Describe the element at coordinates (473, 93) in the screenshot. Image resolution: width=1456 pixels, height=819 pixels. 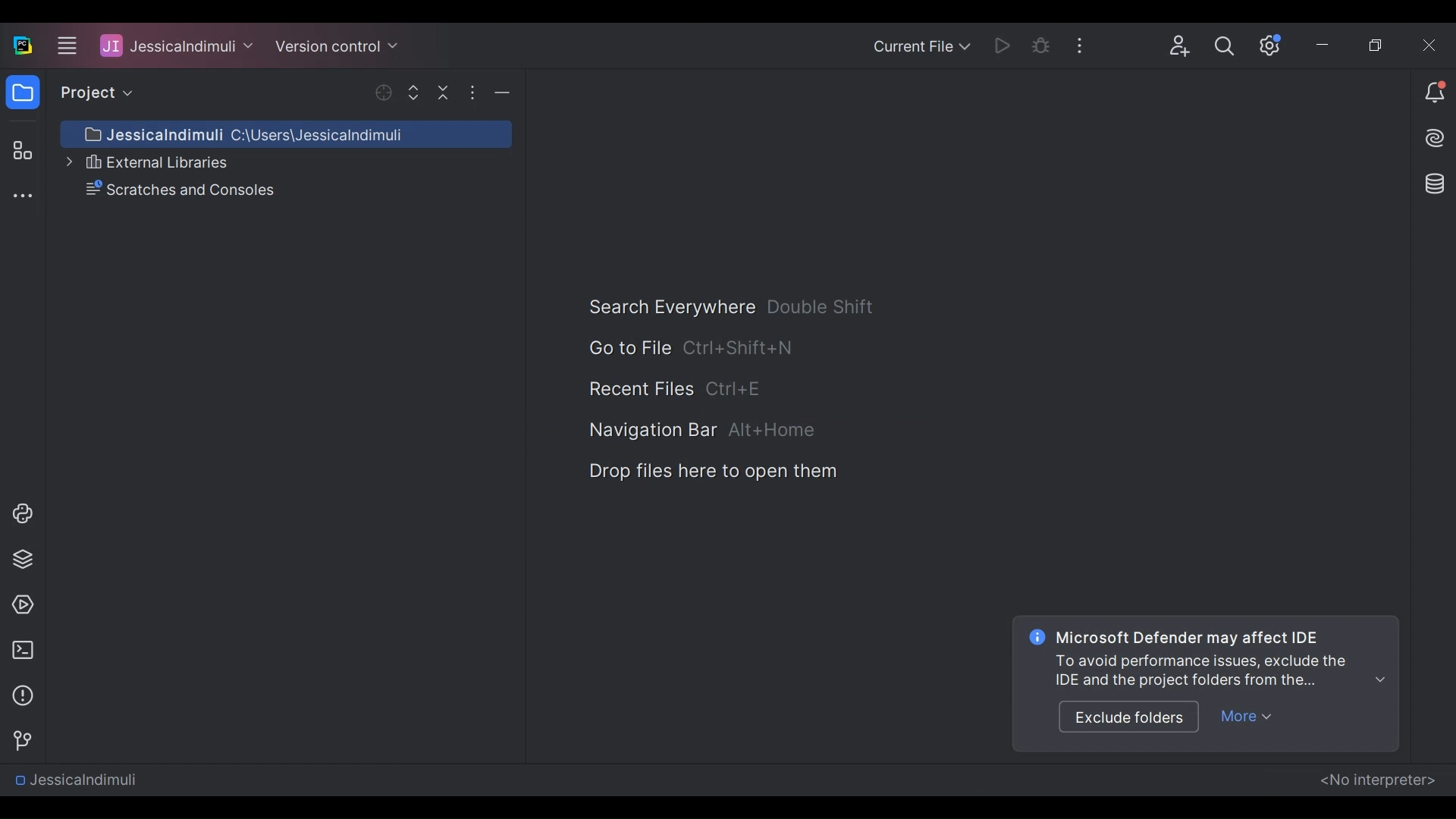
I see `Hide` at that location.